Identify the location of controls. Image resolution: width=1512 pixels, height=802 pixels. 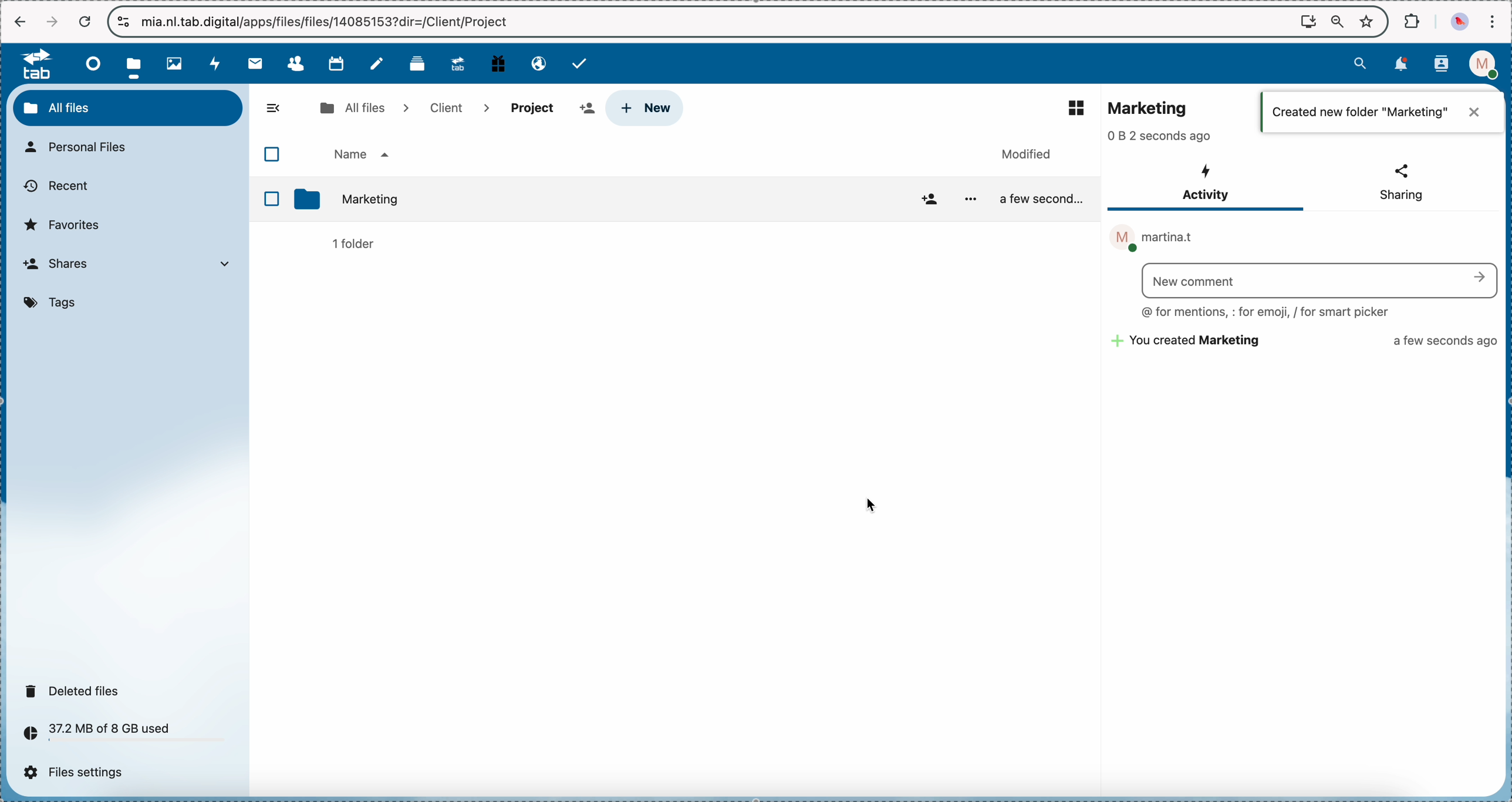
(124, 22).